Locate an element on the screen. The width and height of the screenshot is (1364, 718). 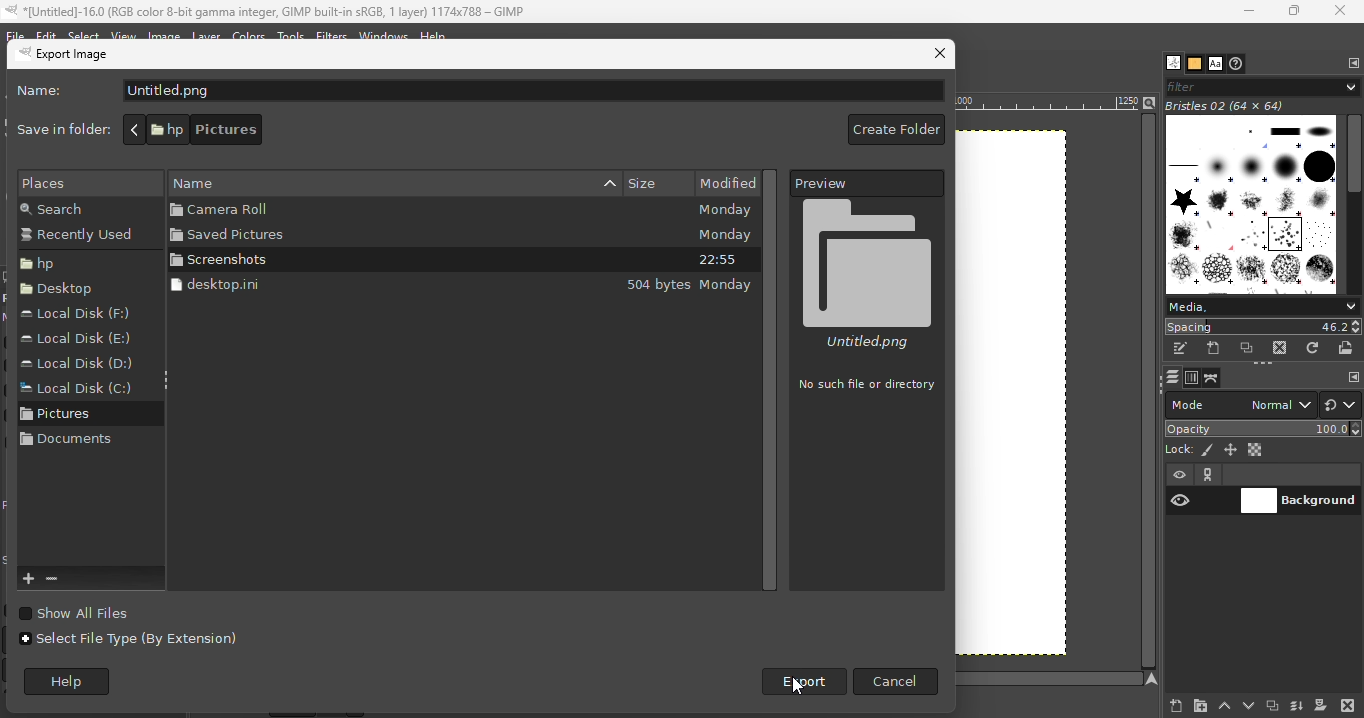
Documents is located at coordinates (68, 446).